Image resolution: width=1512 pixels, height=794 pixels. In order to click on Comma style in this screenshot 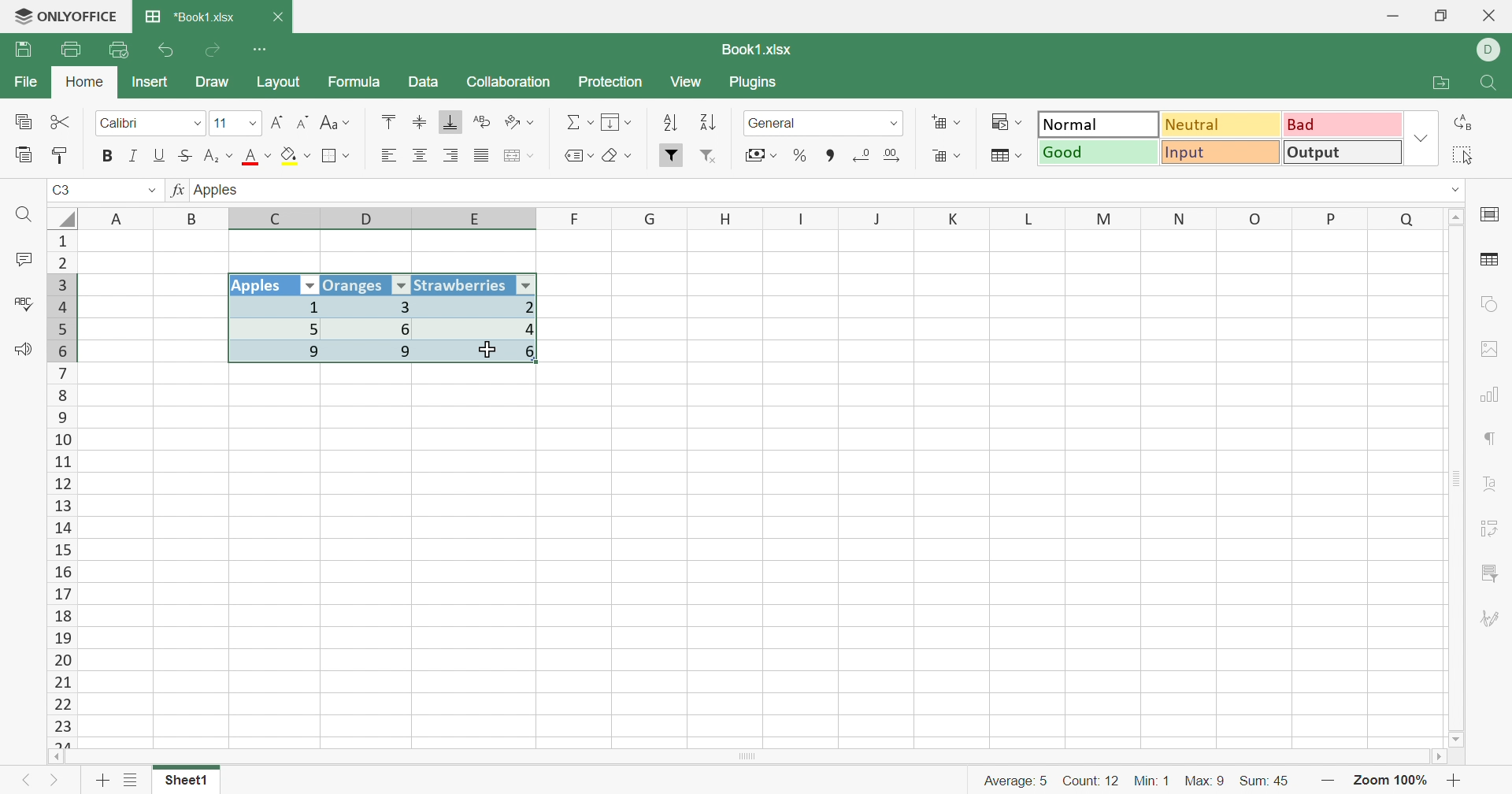, I will do `click(831, 154)`.